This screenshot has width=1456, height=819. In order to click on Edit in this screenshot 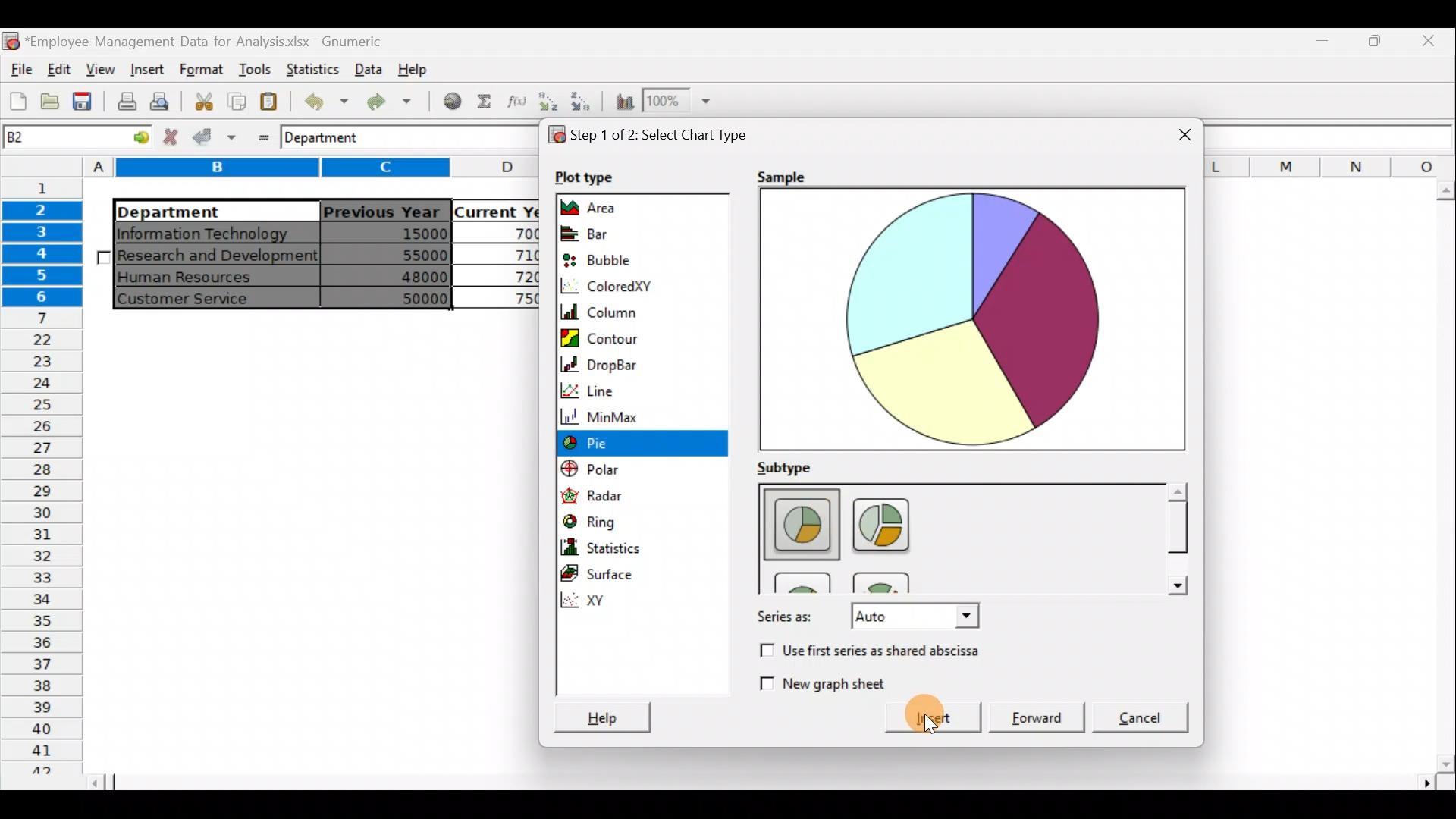, I will do `click(61, 67)`.